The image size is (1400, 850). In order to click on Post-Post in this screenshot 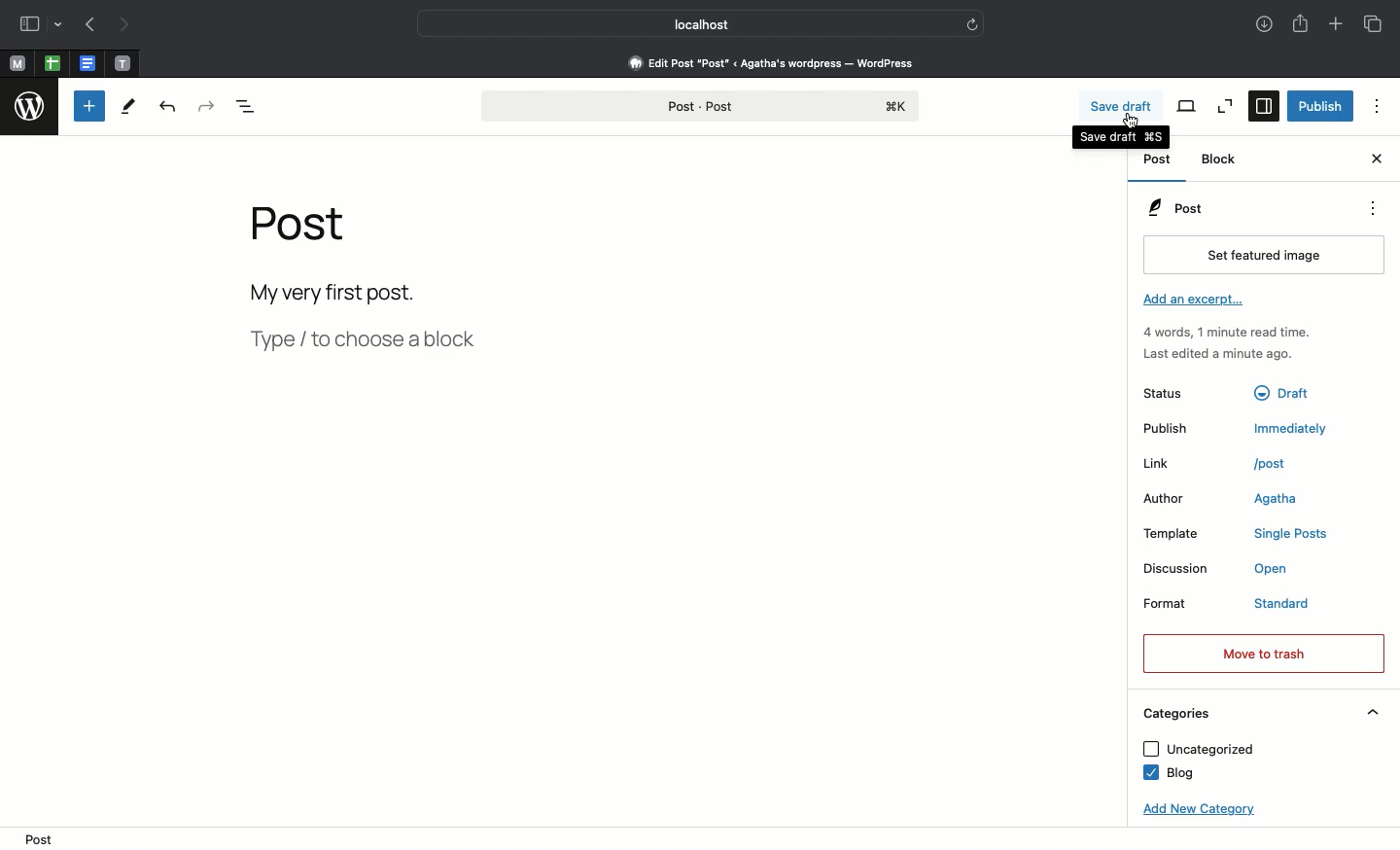, I will do `click(699, 107)`.